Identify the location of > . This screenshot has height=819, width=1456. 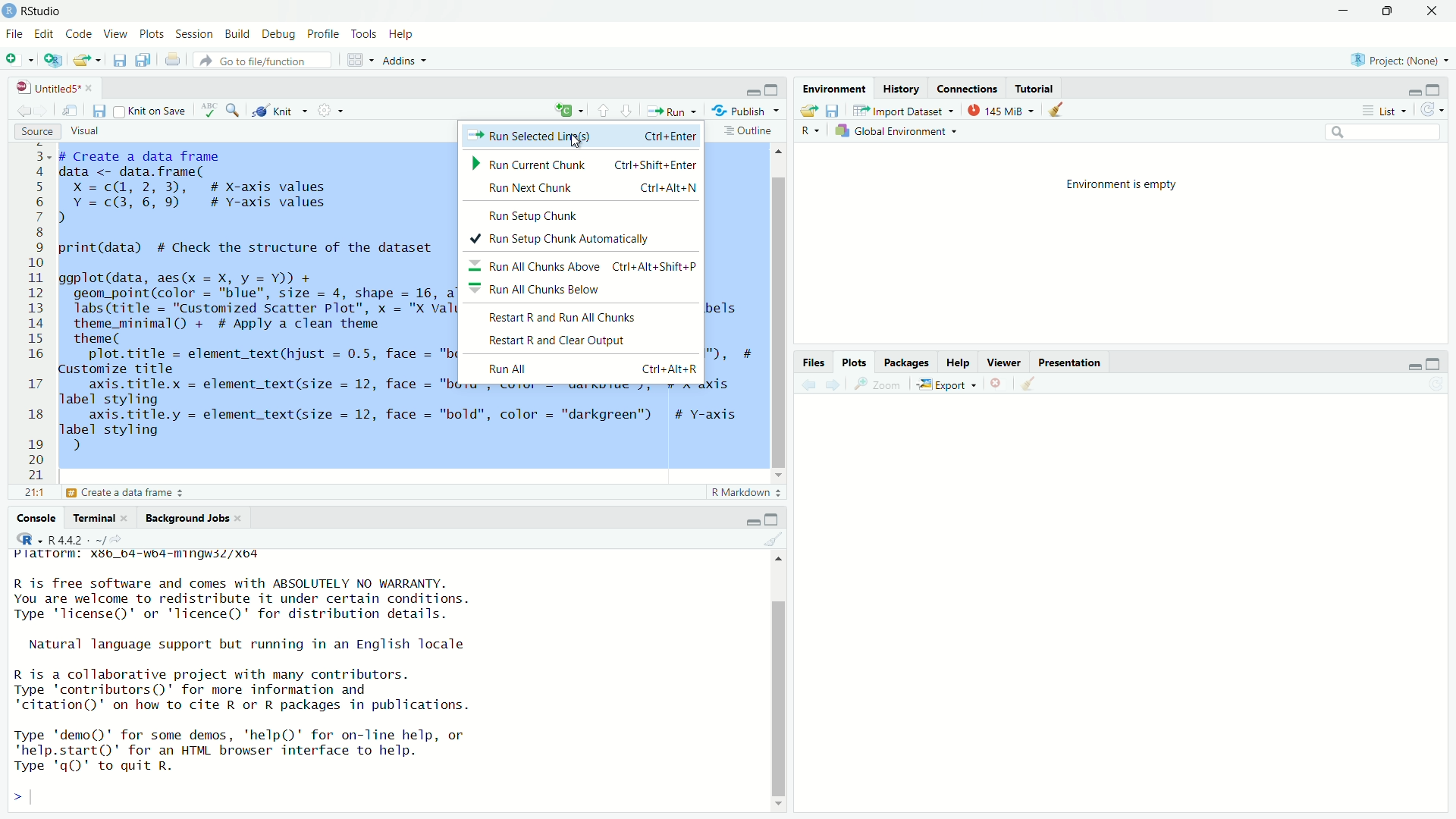
(17, 797).